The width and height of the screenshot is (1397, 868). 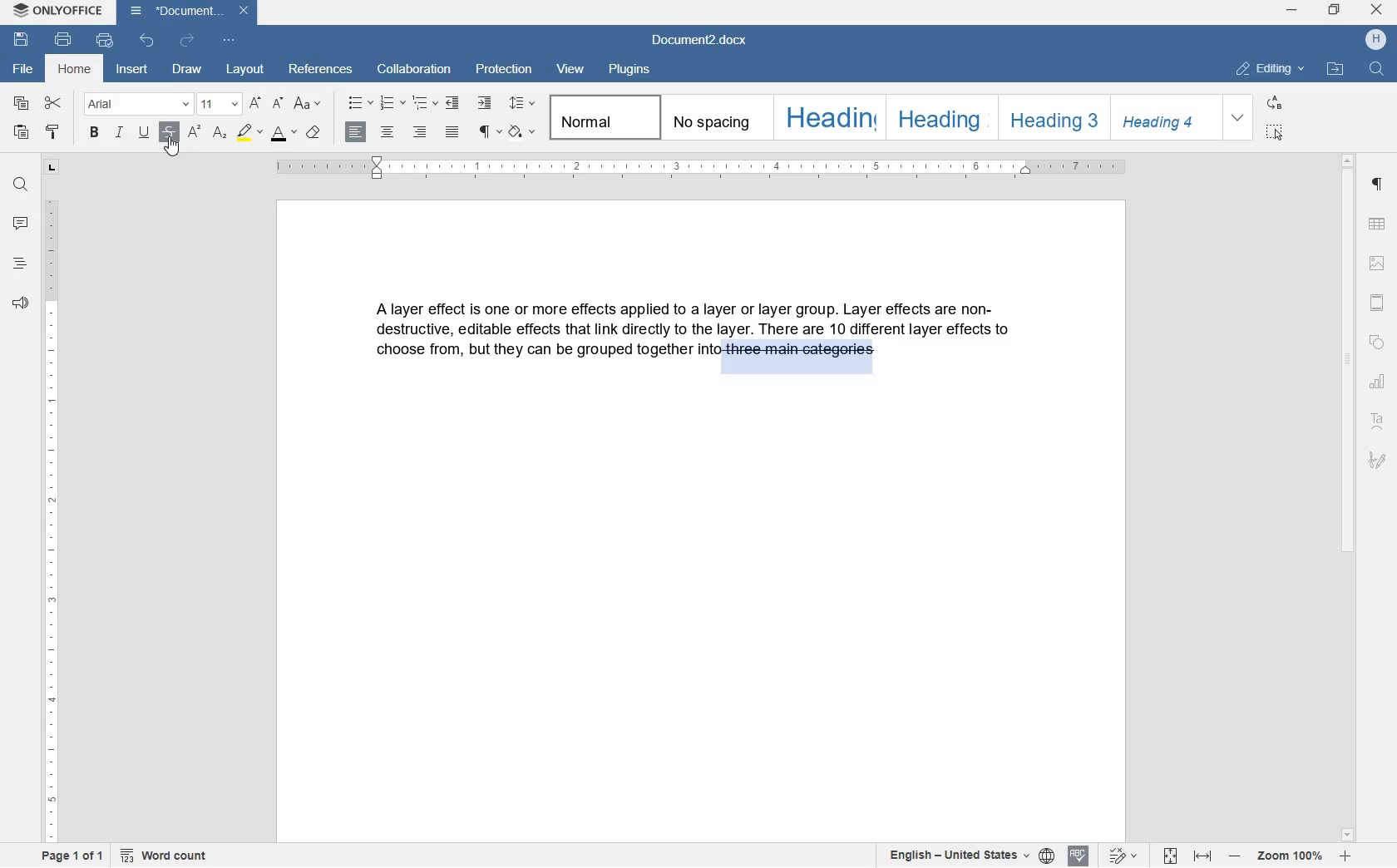 I want to click on text art, so click(x=1380, y=424).